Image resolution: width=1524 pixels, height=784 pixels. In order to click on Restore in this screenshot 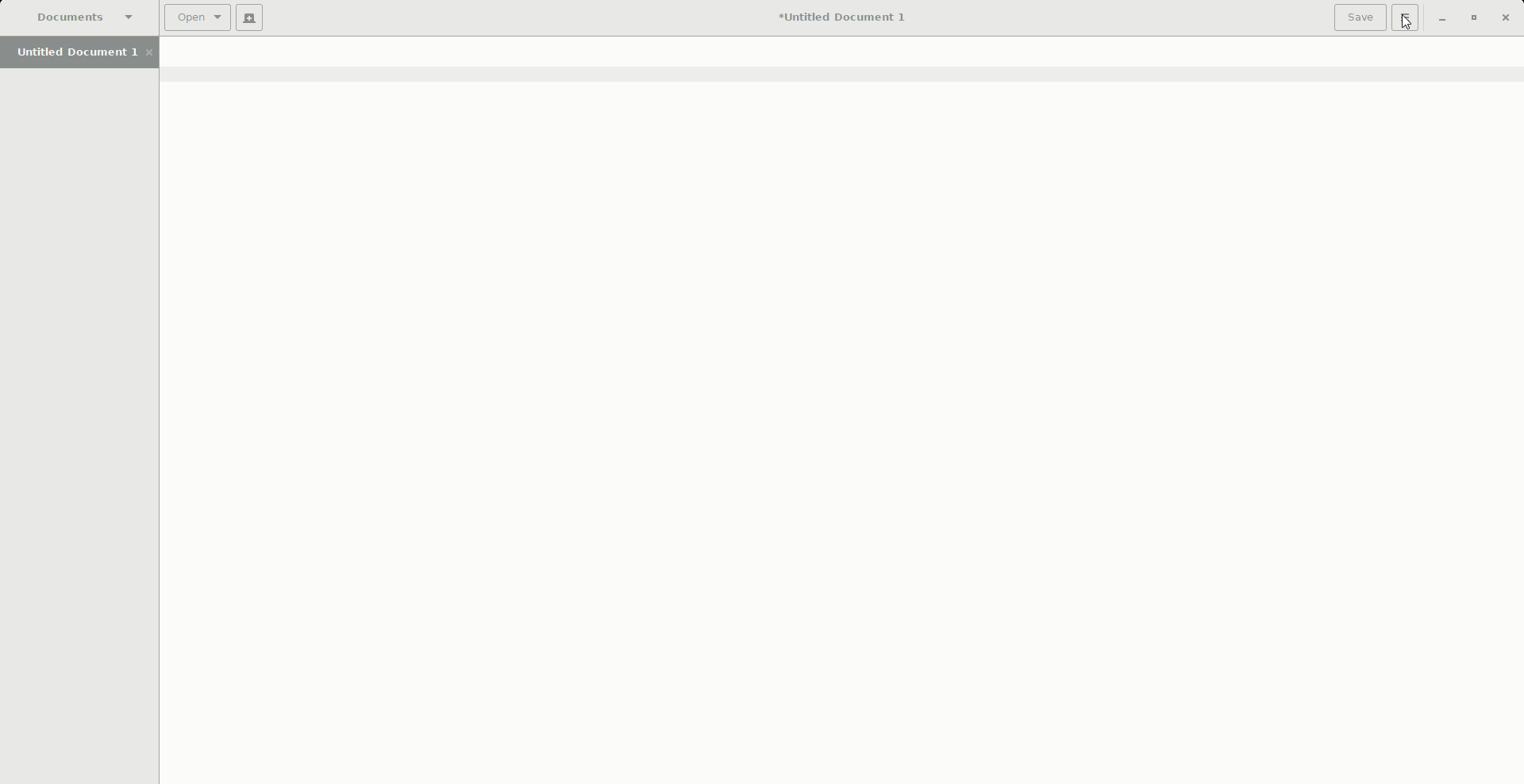, I will do `click(1472, 18)`.